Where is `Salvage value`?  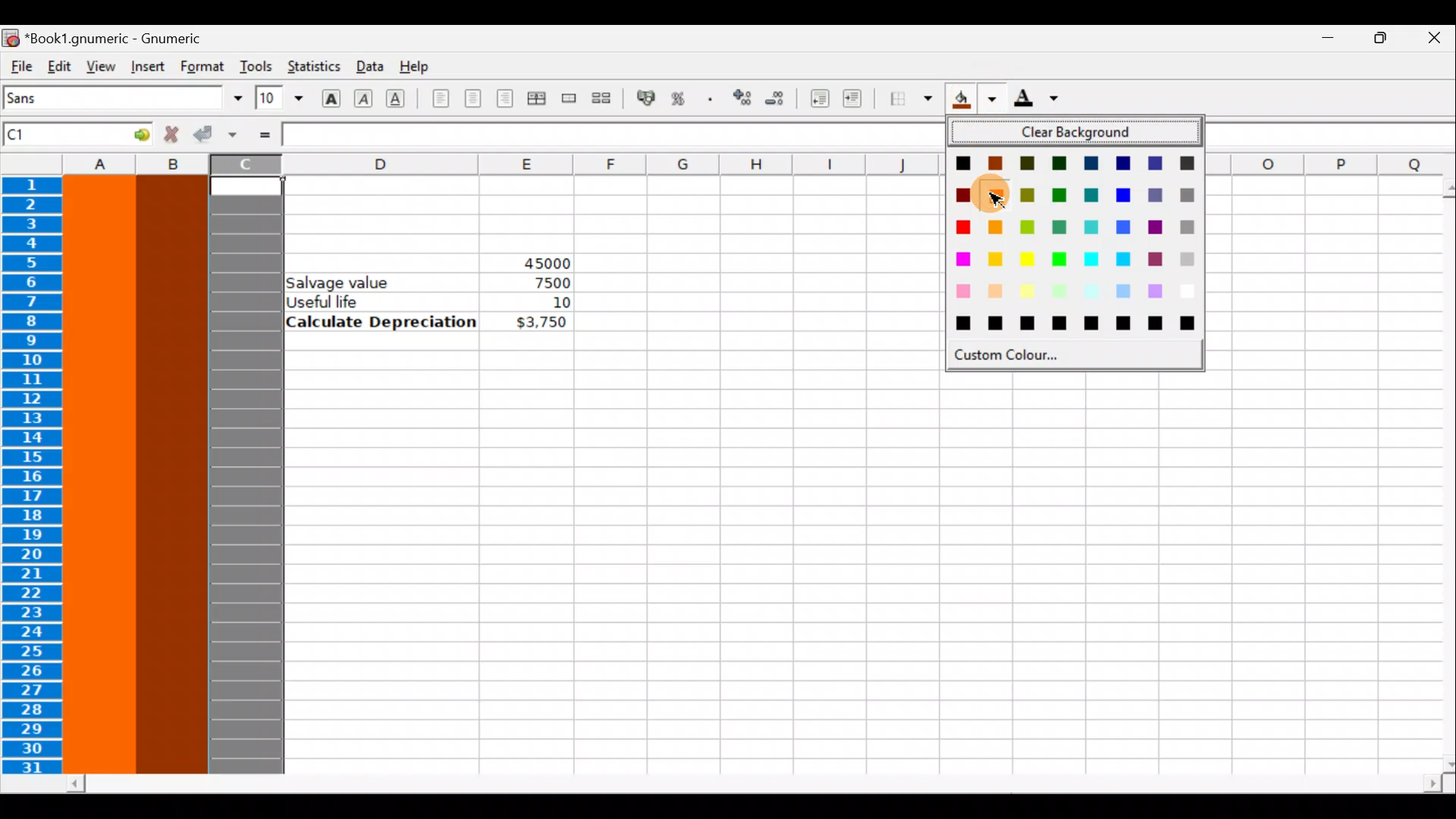 Salvage value is located at coordinates (347, 281).